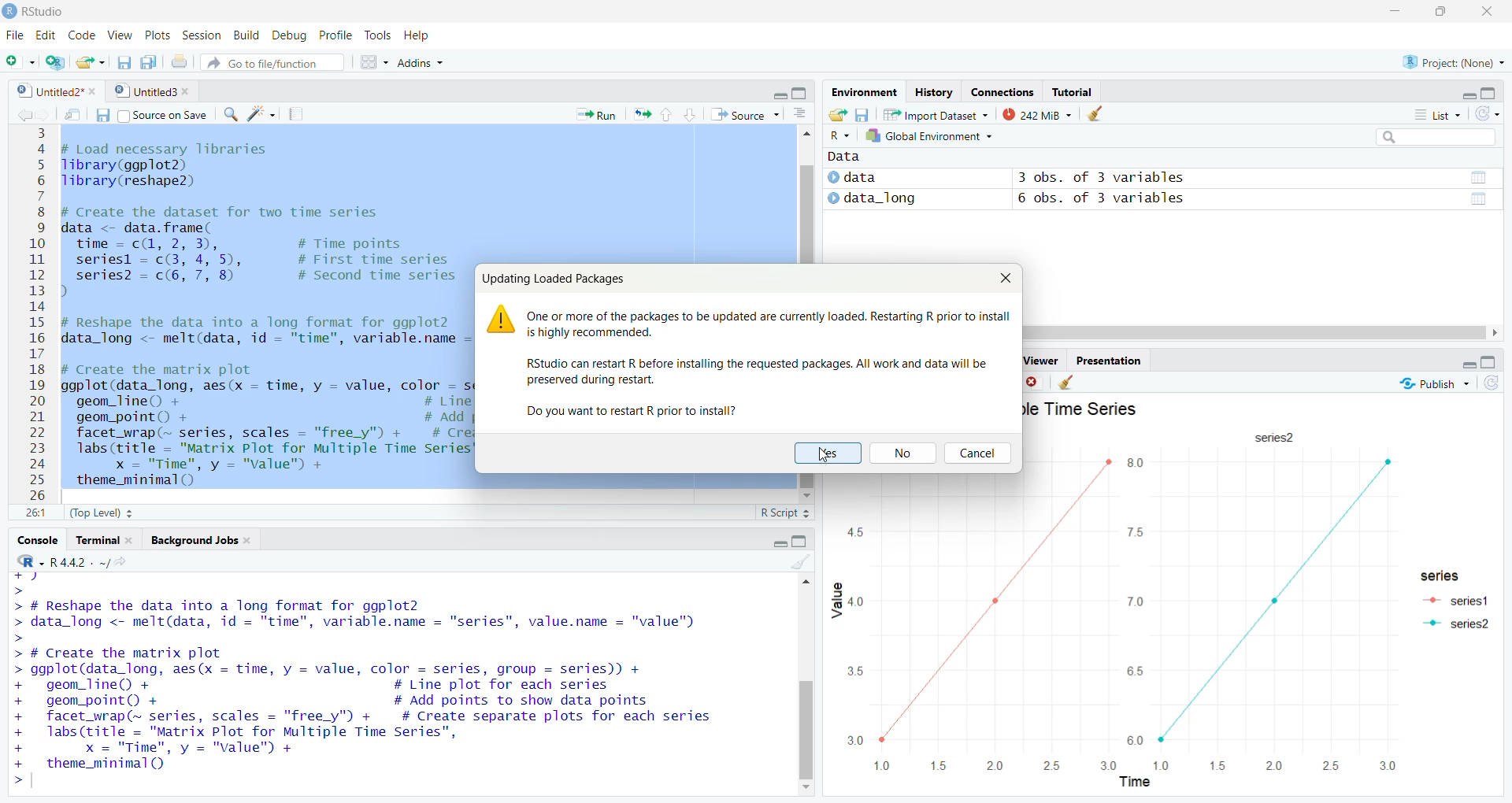  I want to click on series, so click(1273, 438).